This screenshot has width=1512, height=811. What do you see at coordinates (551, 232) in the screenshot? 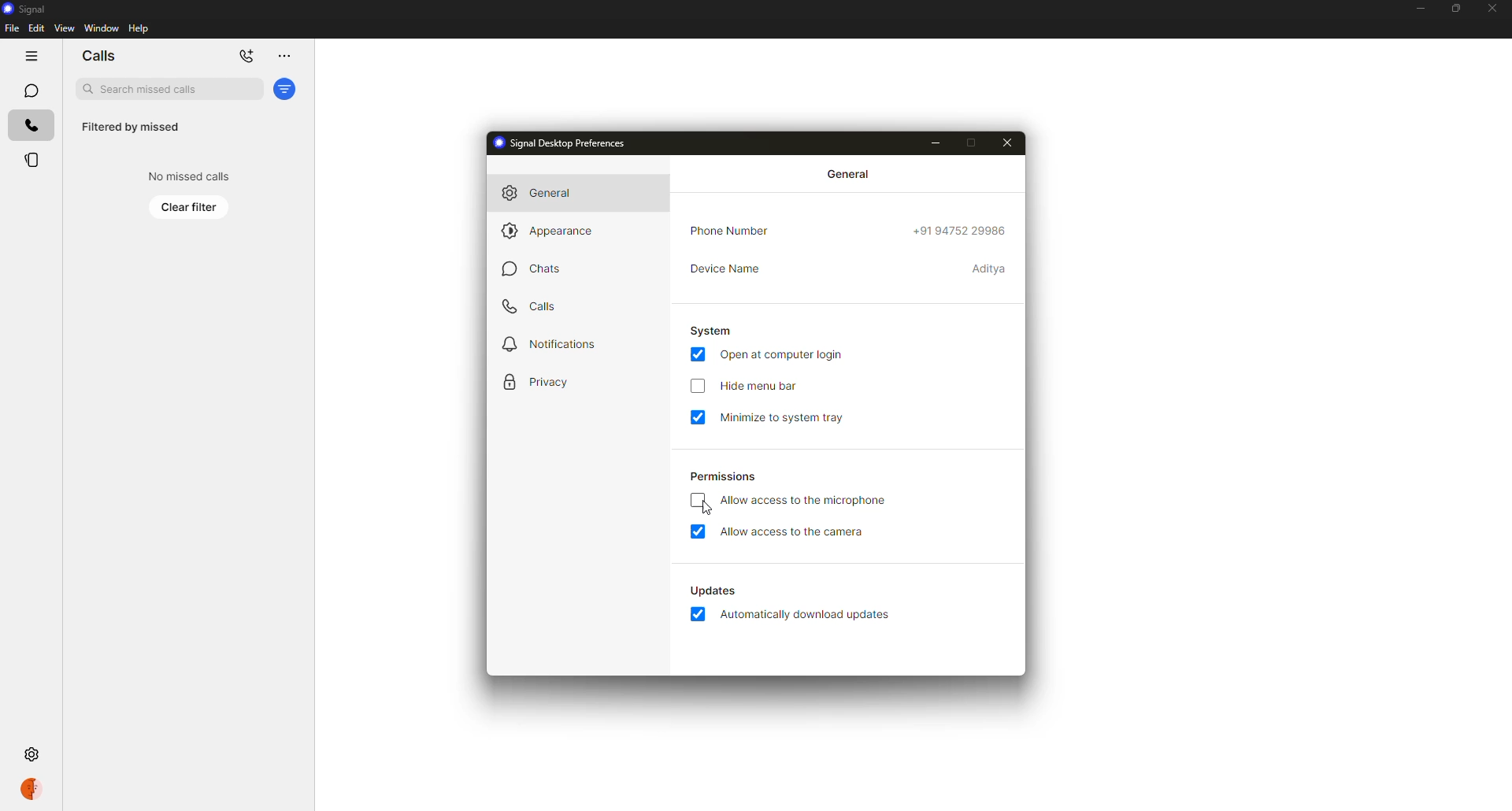
I see `appearance` at bounding box center [551, 232].